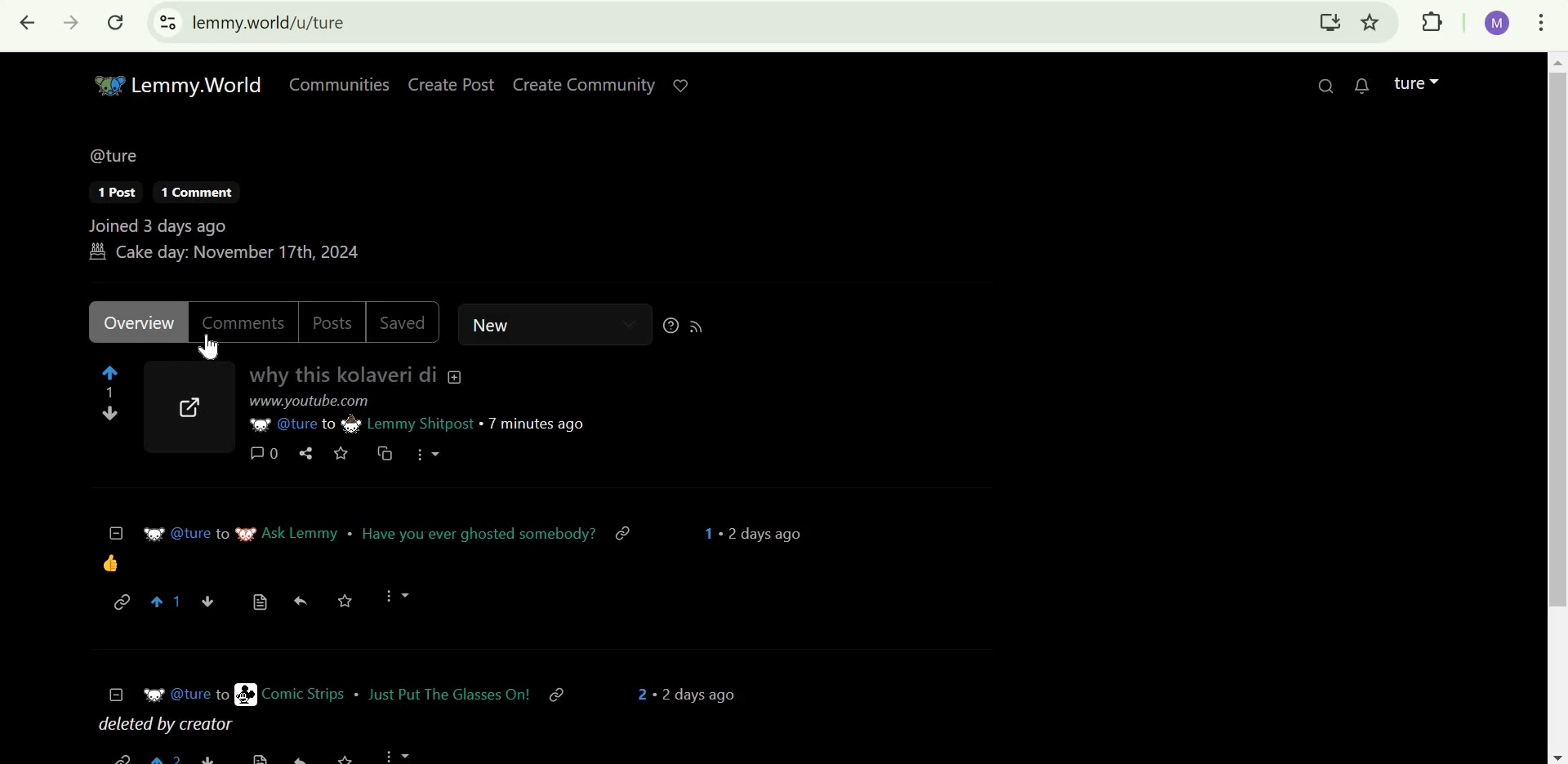  What do you see at coordinates (399, 594) in the screenshot?
I see `more` at bounding box center [399, 594].